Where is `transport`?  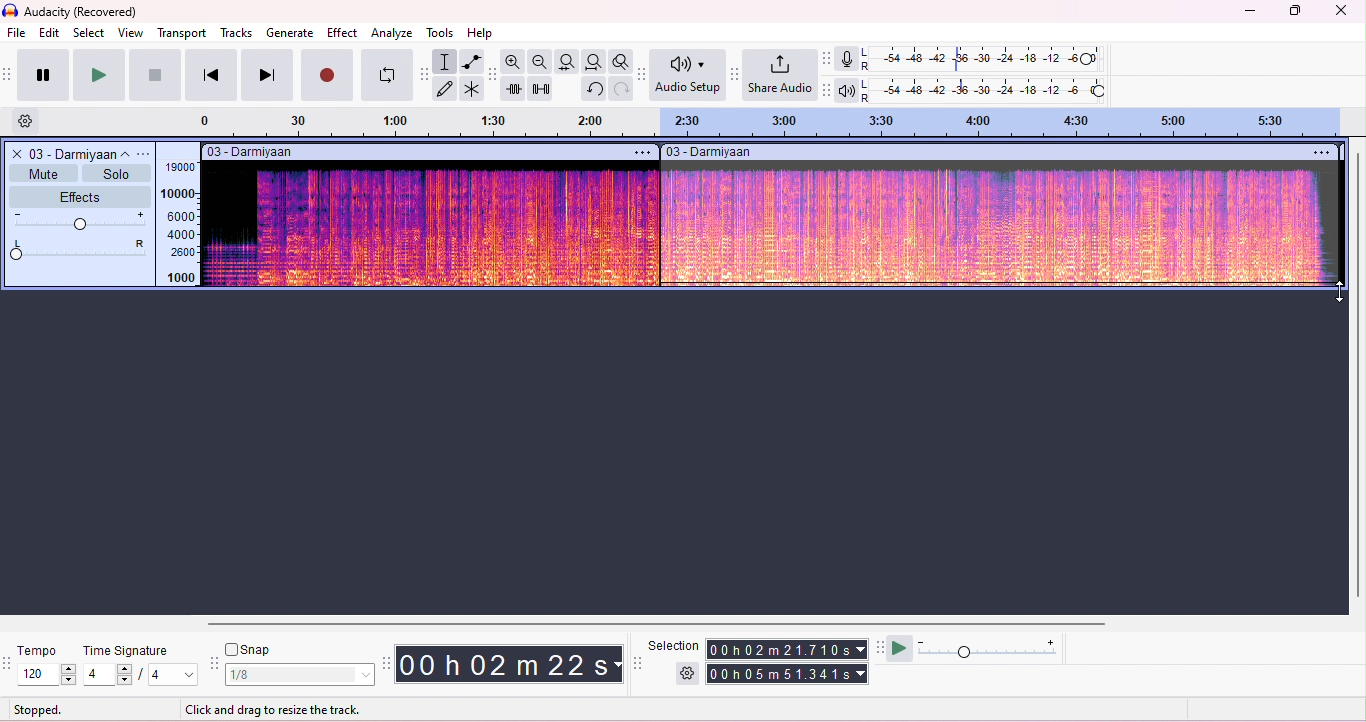
transport is located at coordinates (182, 33).